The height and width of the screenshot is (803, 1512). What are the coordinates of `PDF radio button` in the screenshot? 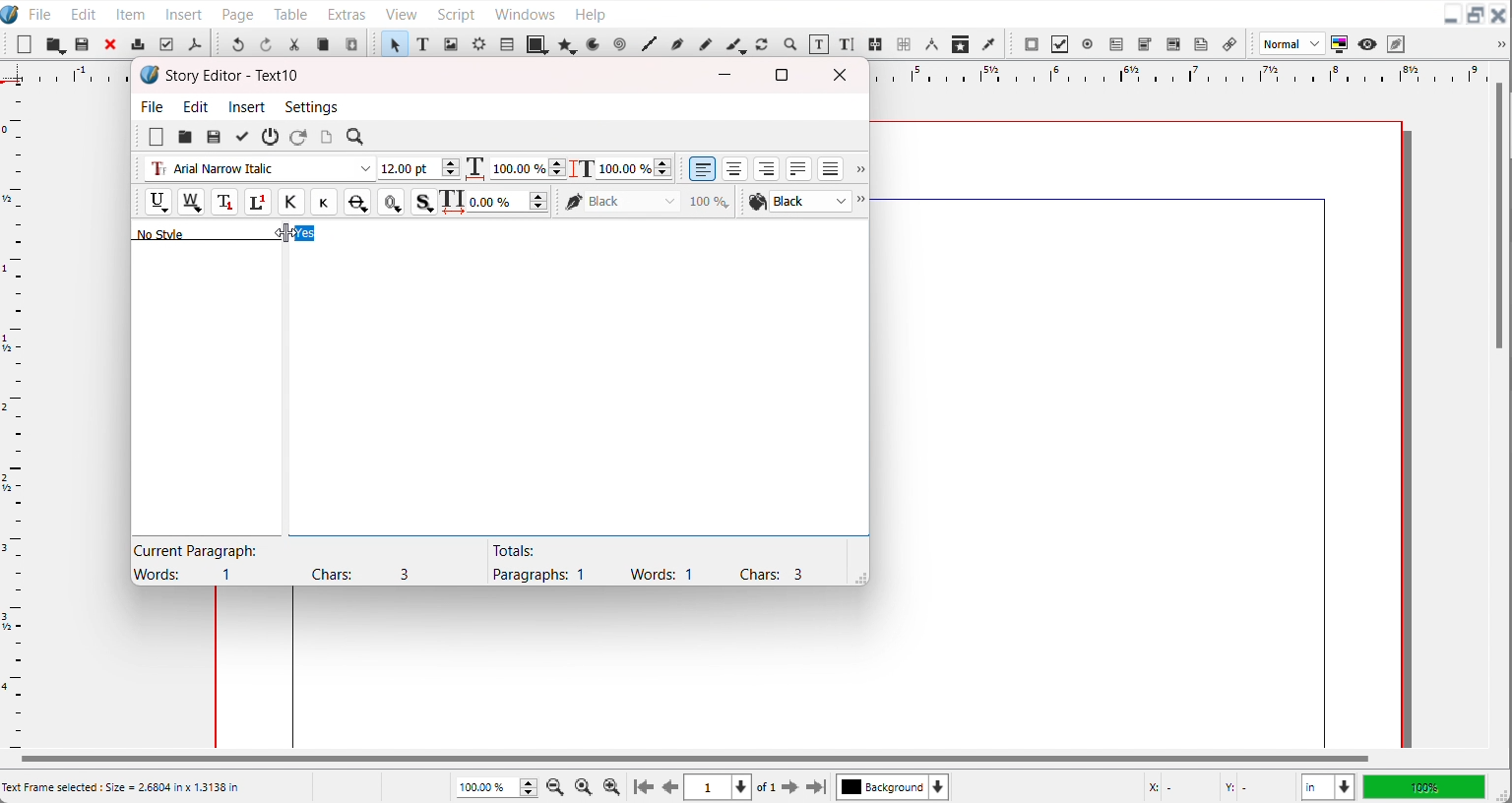 It's located at (1087, 44).